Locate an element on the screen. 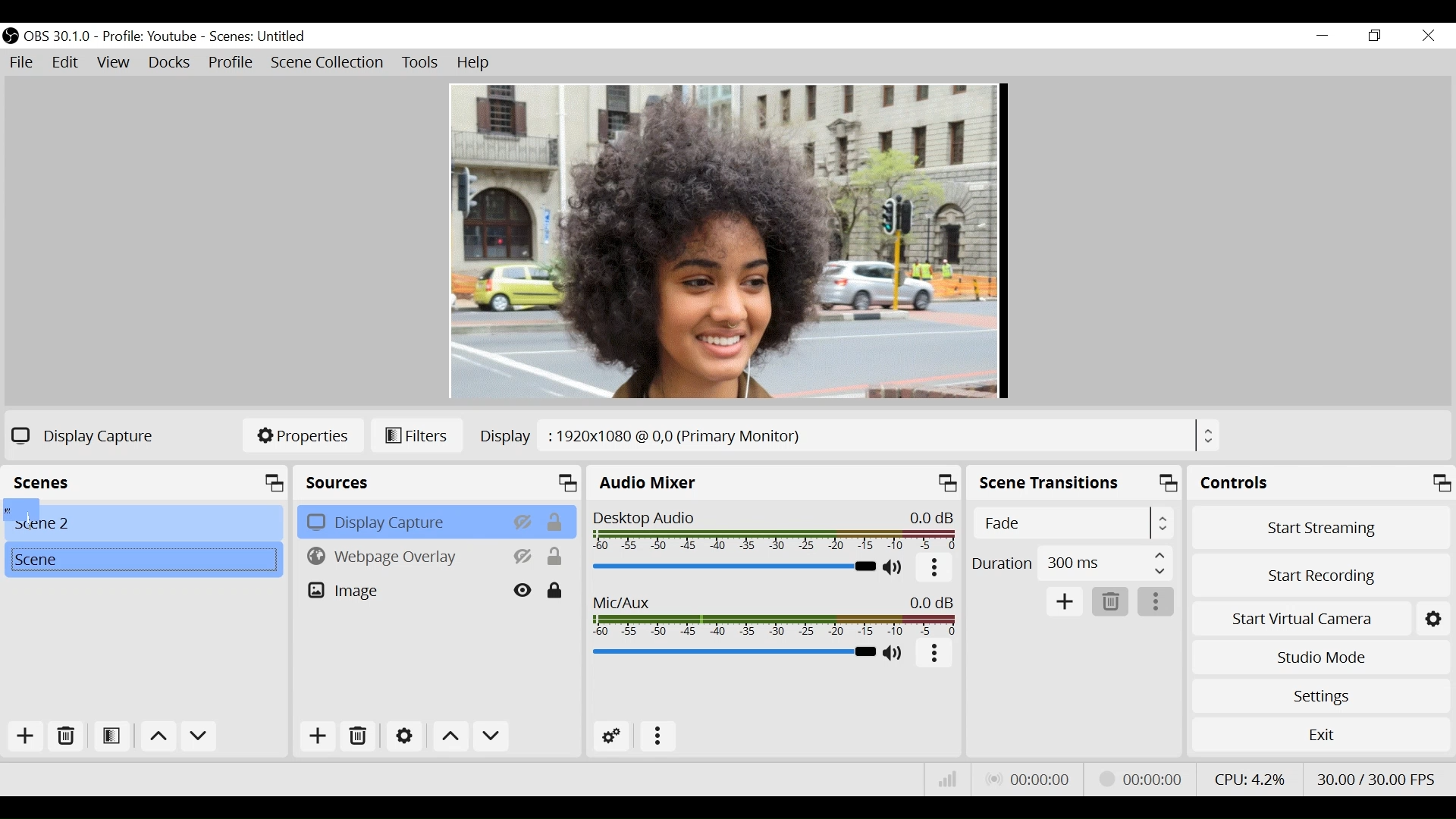  Bitrate is located at coordinates (945, 778).